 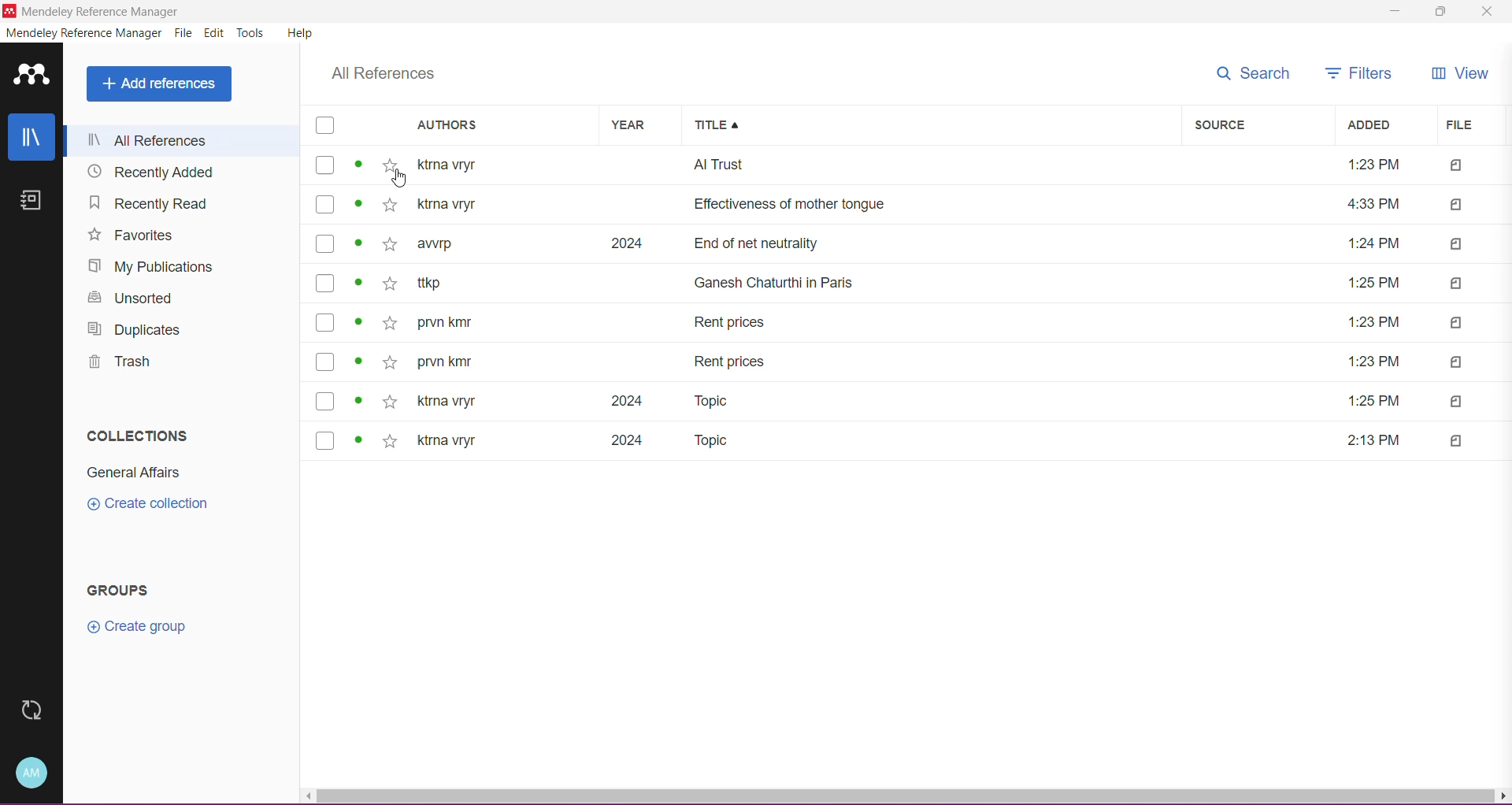 What do you see at coordinates (128, 301) in the screenshot?
I see `Unsorted` at bounding box center [128, 301].